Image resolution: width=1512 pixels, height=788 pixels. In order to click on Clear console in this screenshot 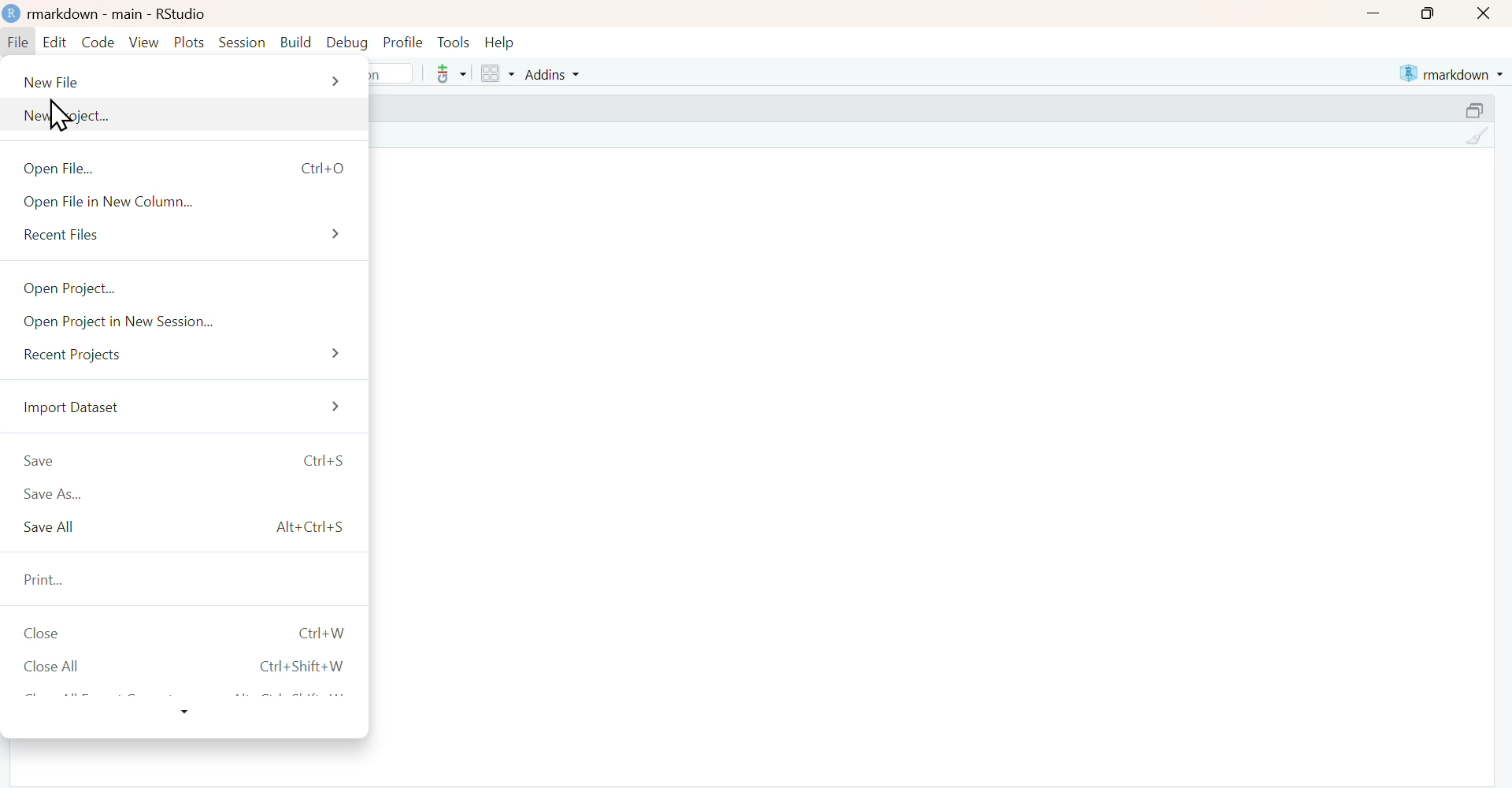, I will do `click(1476, 136)`.